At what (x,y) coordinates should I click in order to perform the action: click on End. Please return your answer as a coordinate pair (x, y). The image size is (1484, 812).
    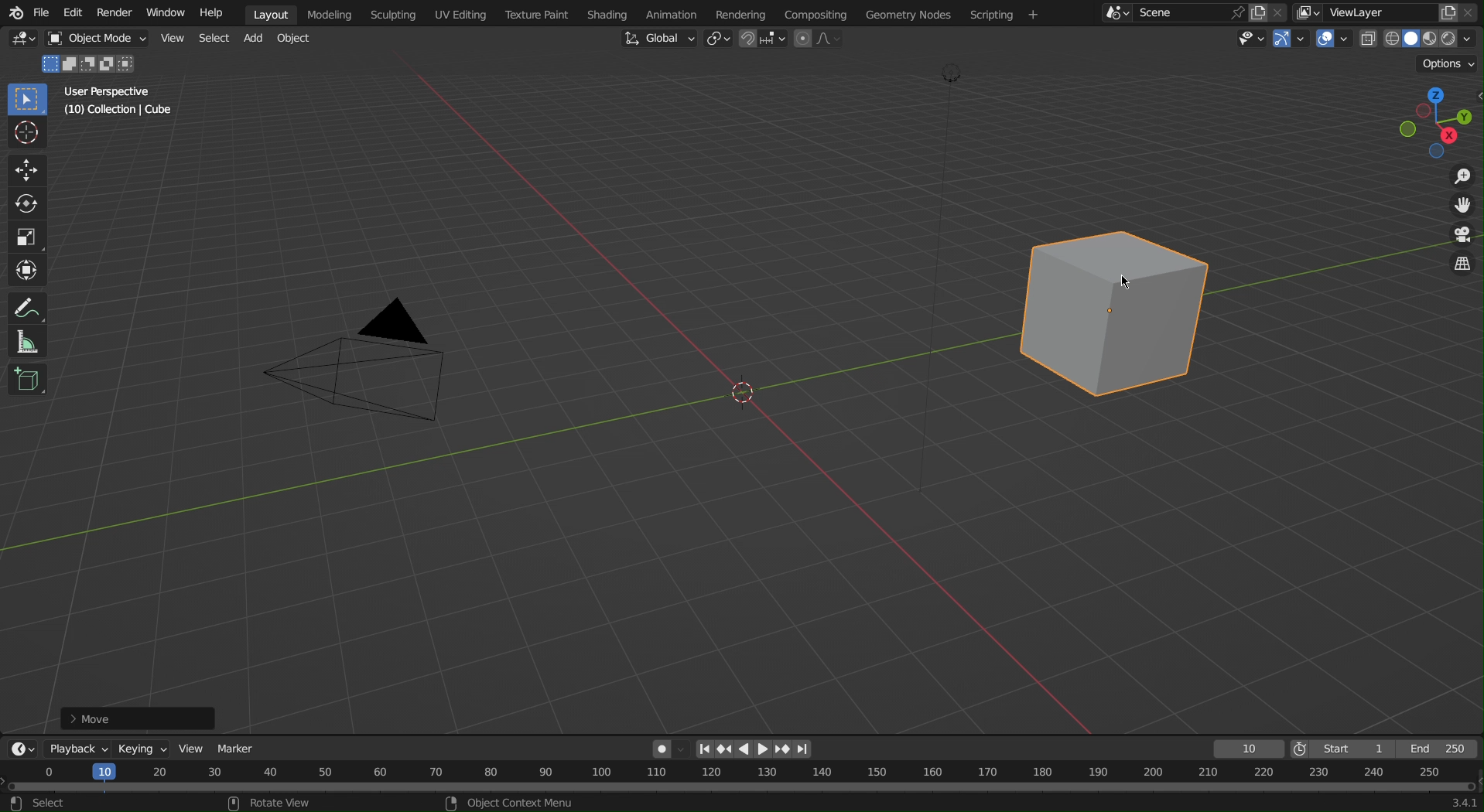
    Looking at the image, I should click on (1441, 749).